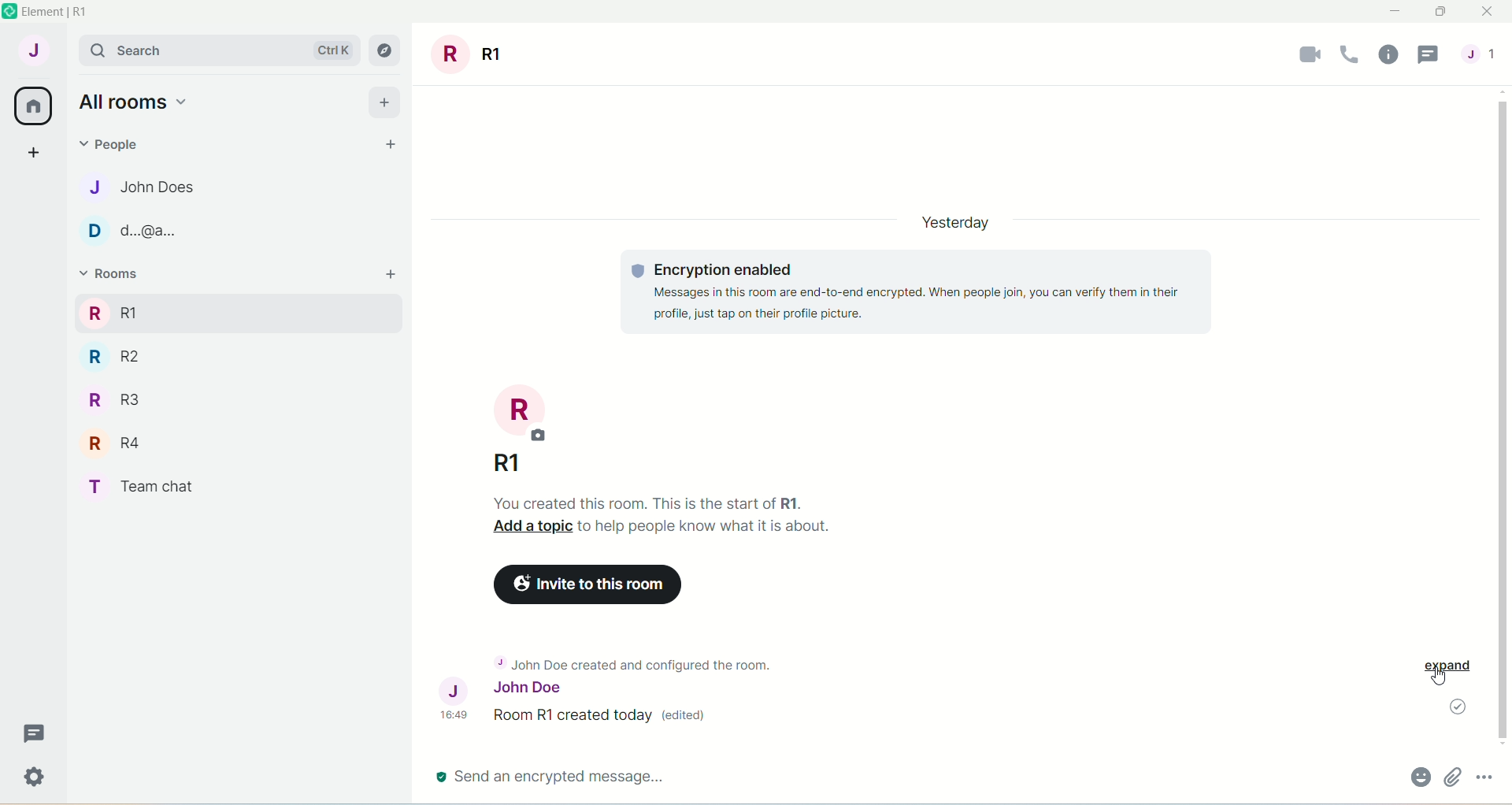  What do you see at coordinates (1349, 56) in the screenshot?
I see `voice call` at bounding box center [1349, 56].